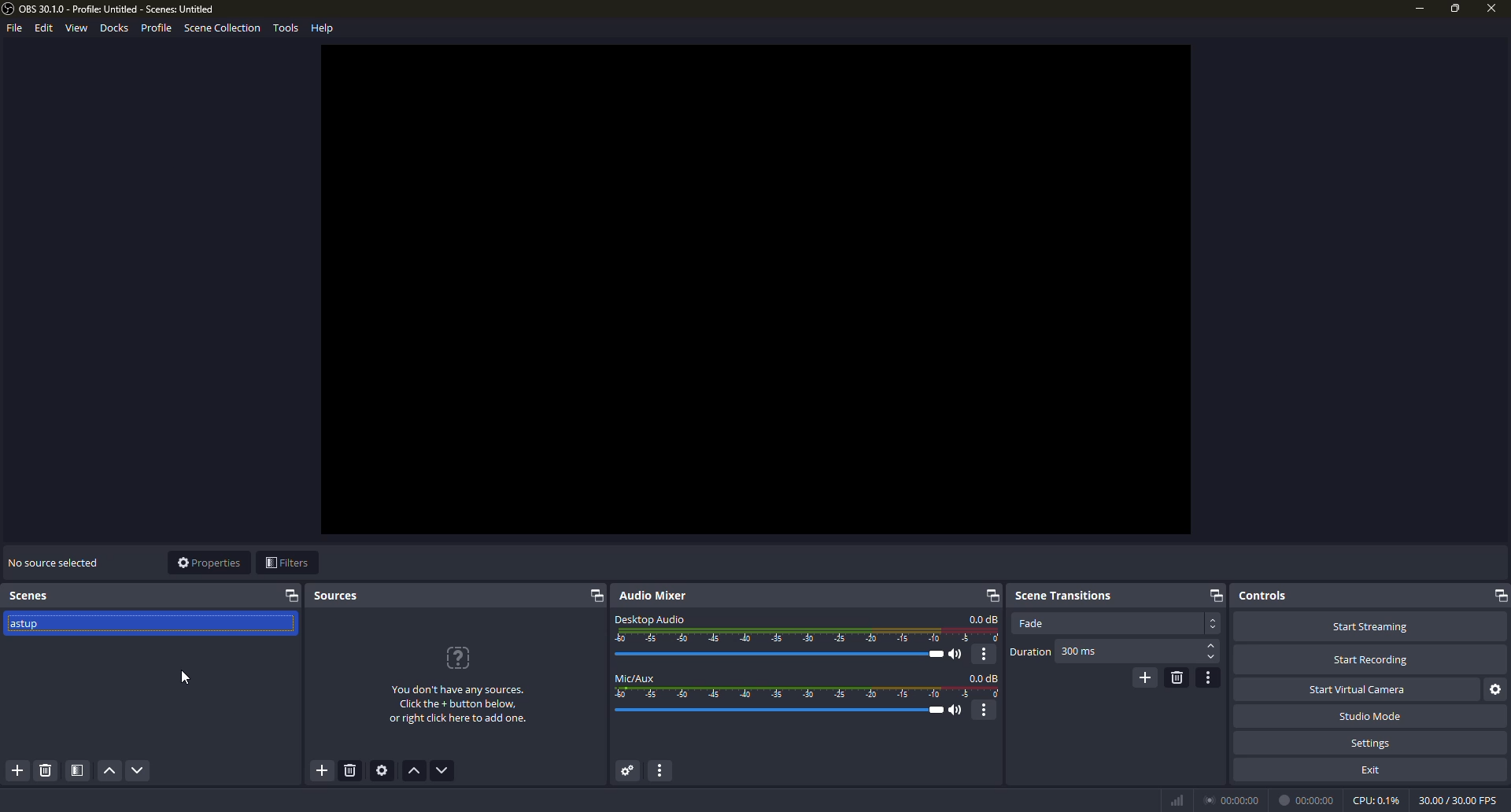 This screenshot has height=812, width=1511. Describe the element at coordinates (1031, 623) in the screenshot. I see `fade` at that location.